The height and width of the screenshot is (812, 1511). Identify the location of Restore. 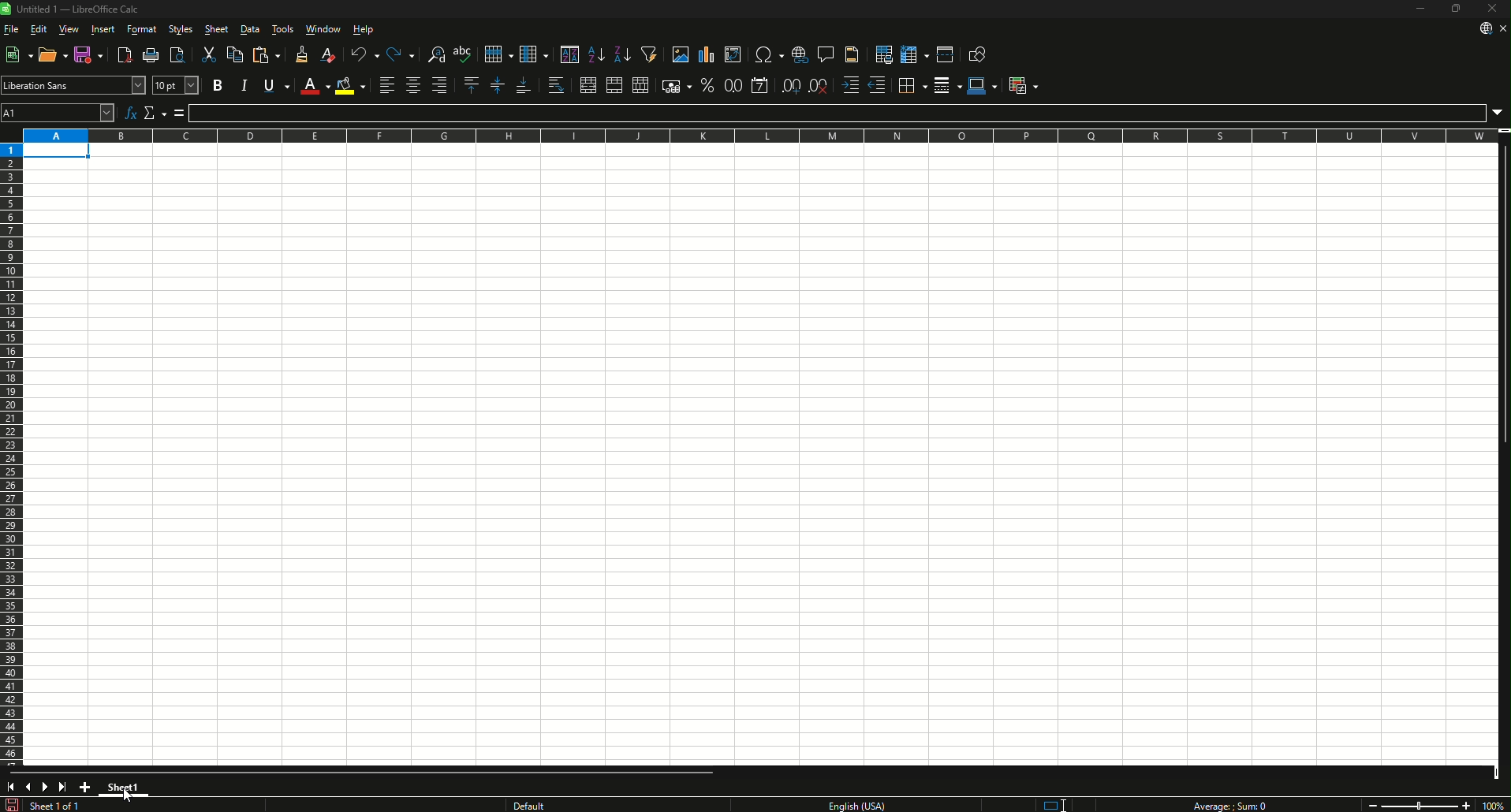
(1456, 8).